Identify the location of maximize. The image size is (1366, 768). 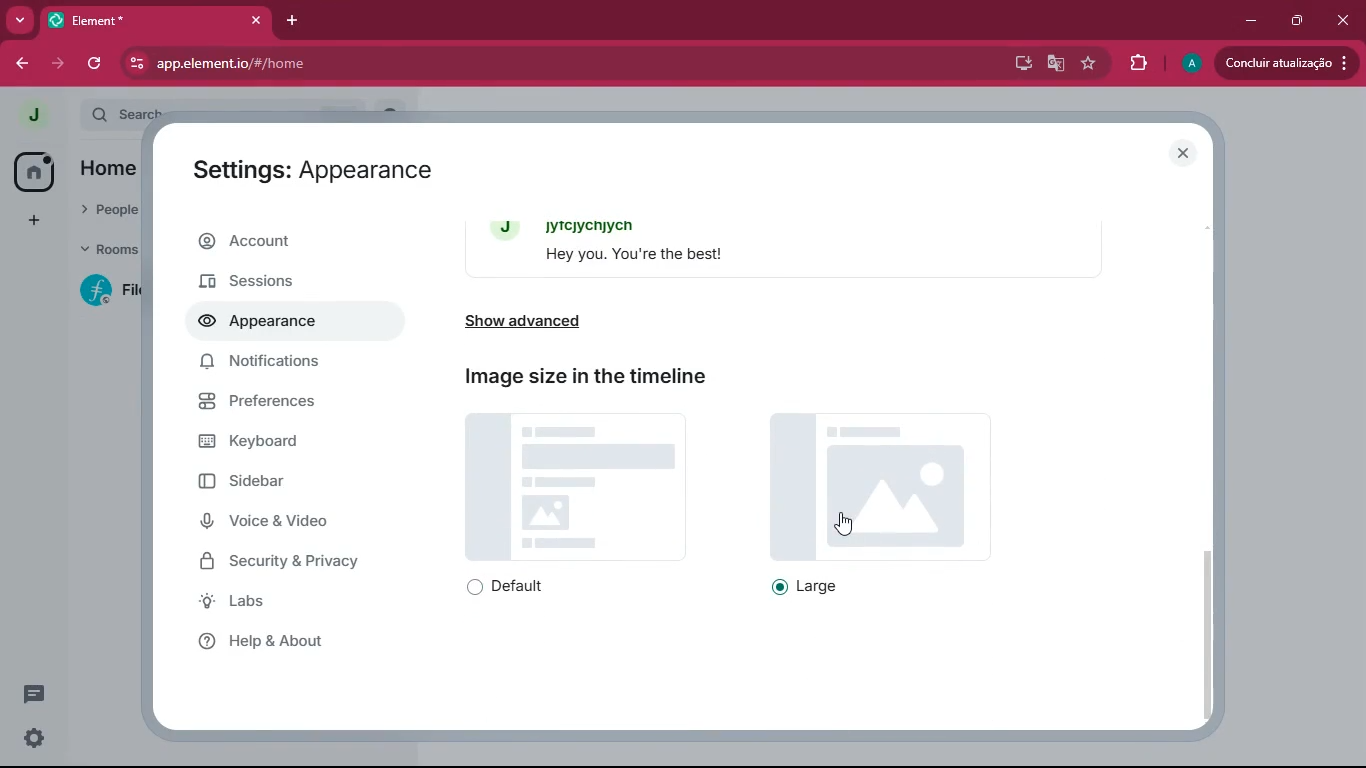
(1298, 20).